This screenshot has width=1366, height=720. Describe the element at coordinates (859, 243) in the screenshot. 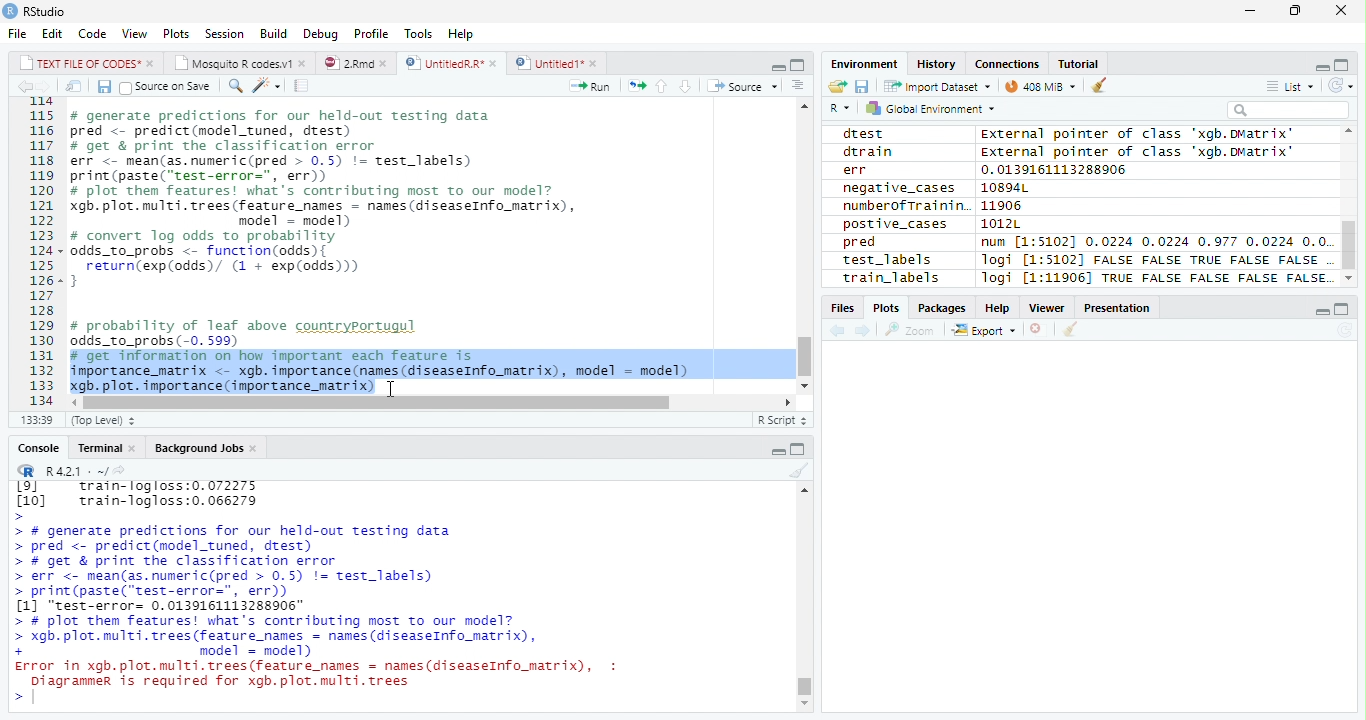

I see `pred` at that location.